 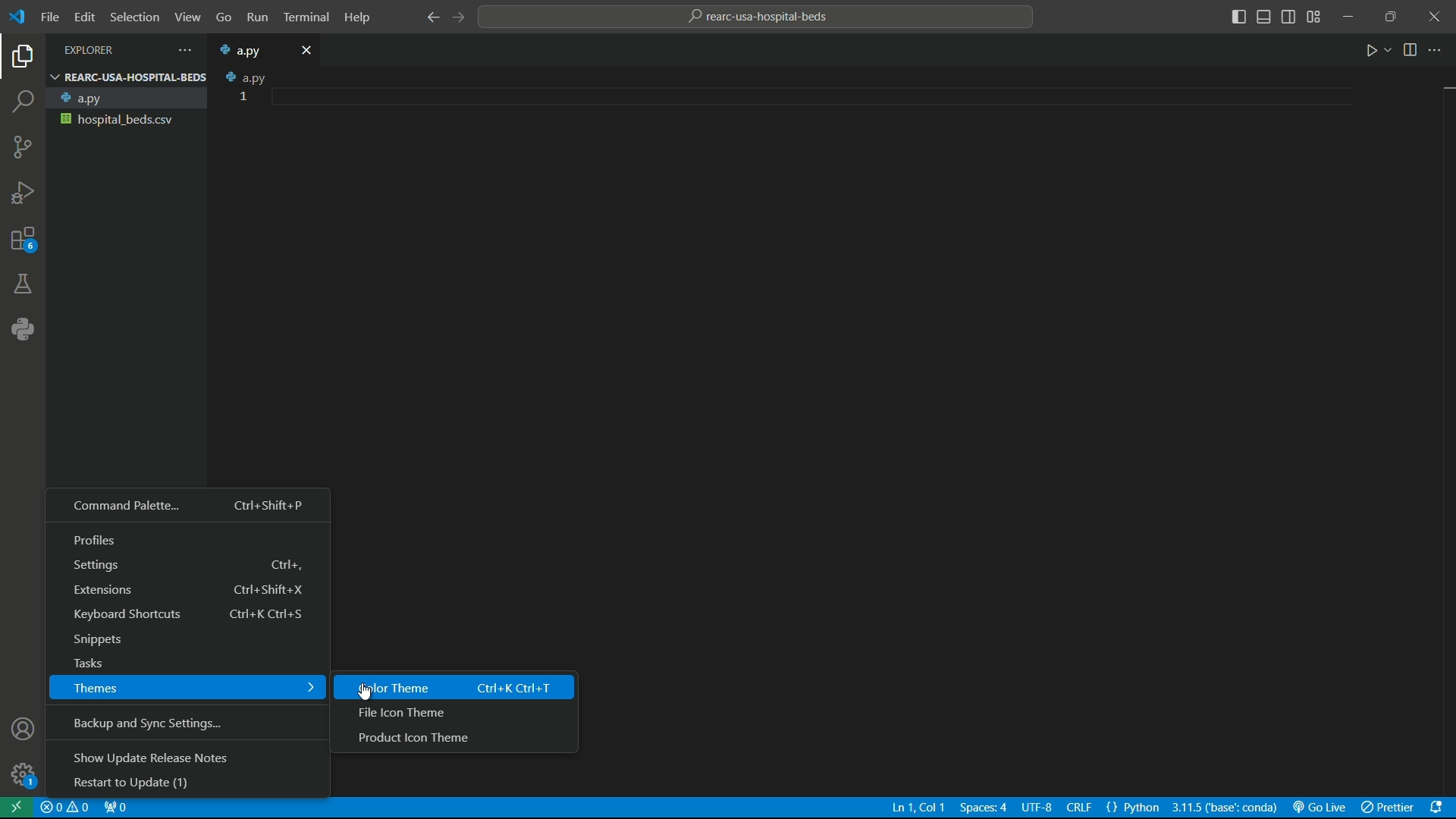 I want to click on terminal menu, so click(x=307, y=18).